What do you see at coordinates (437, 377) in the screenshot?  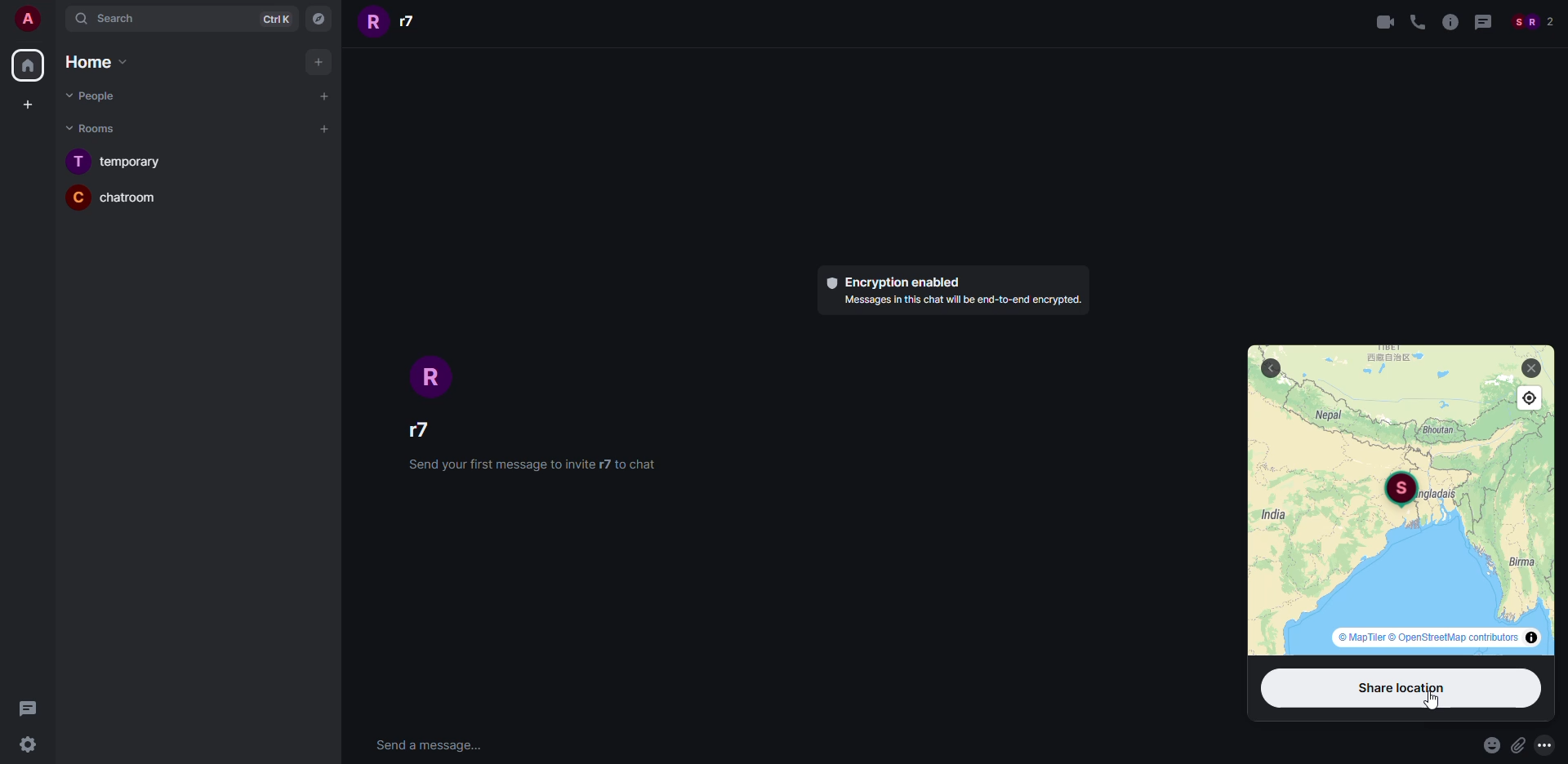 I see `Icon` at bounding box center [437, 377].